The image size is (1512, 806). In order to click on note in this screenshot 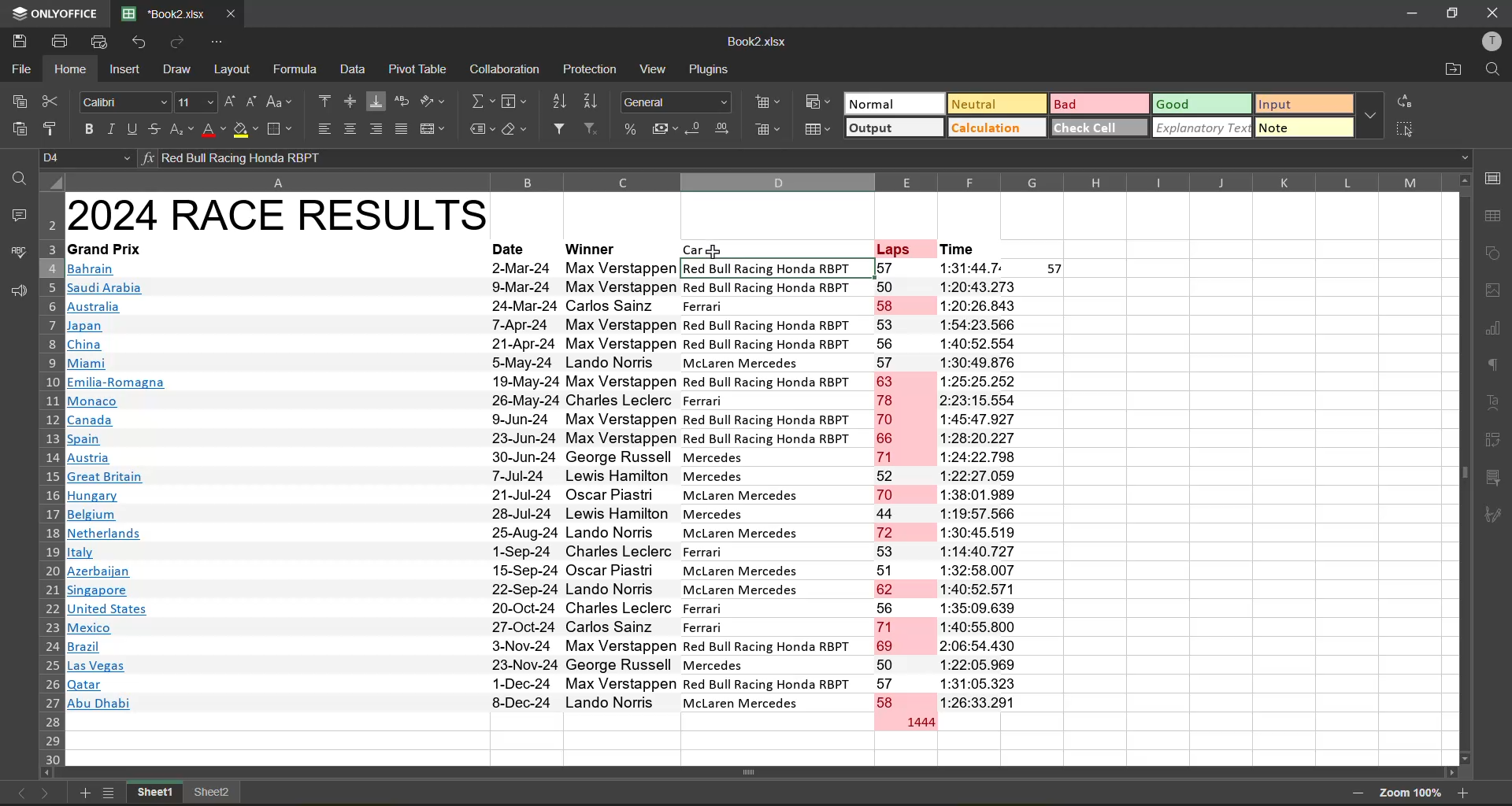, I will do `click(1303, 130)`.